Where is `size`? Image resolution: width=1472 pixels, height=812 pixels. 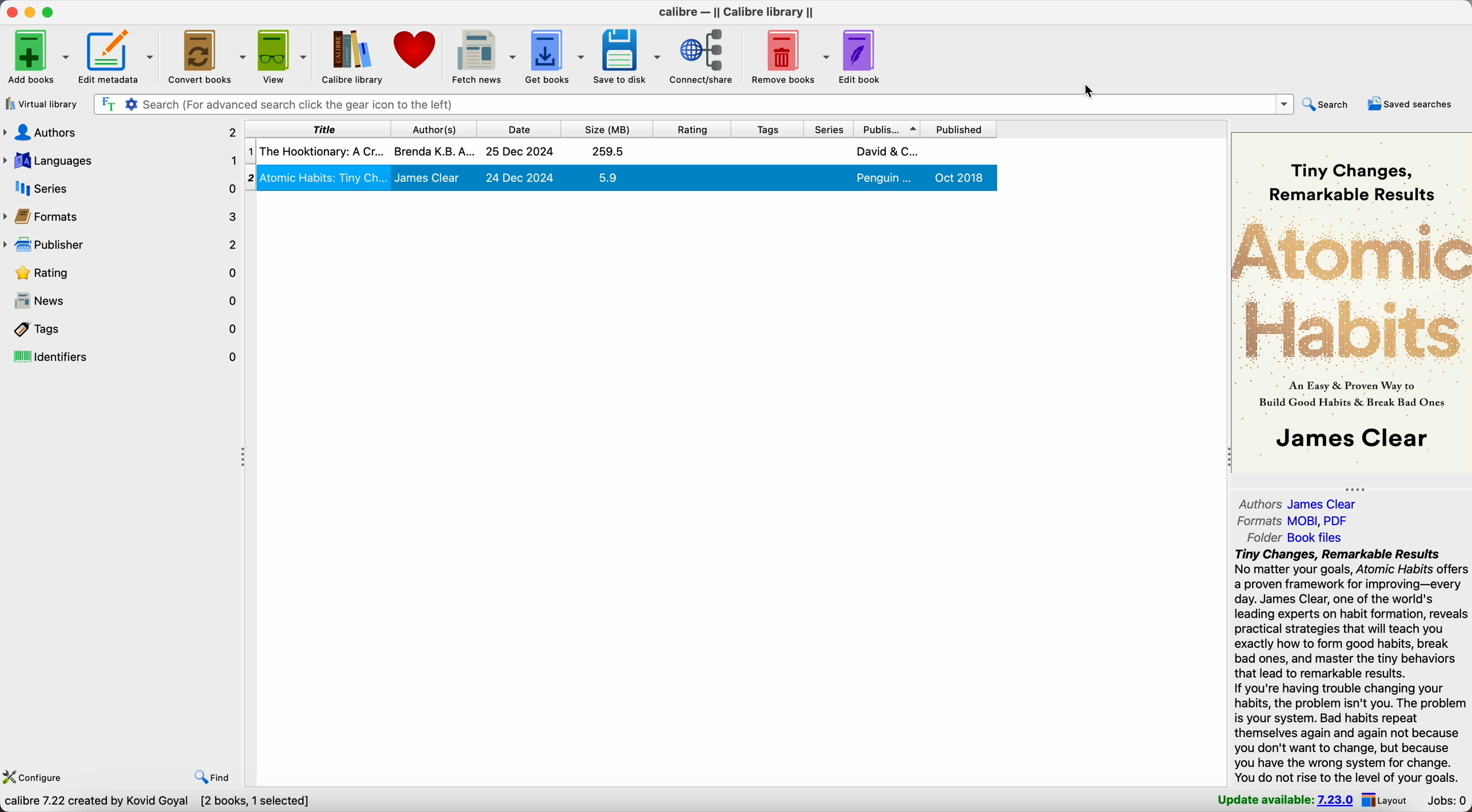
size is located at coordinates (606, 127).